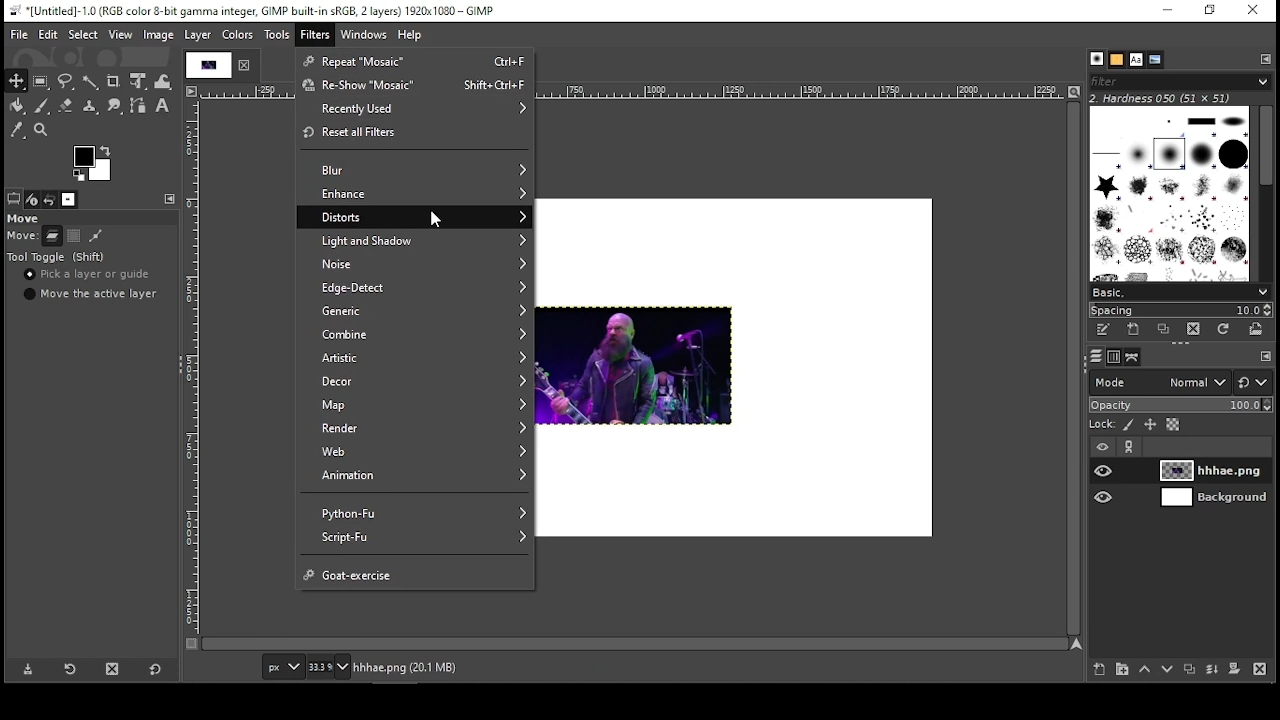 The image size is (1280, 720). What do you see at coordinates (418, 426) in the screenshot?
I see `render` at bounding box center [418, 426].